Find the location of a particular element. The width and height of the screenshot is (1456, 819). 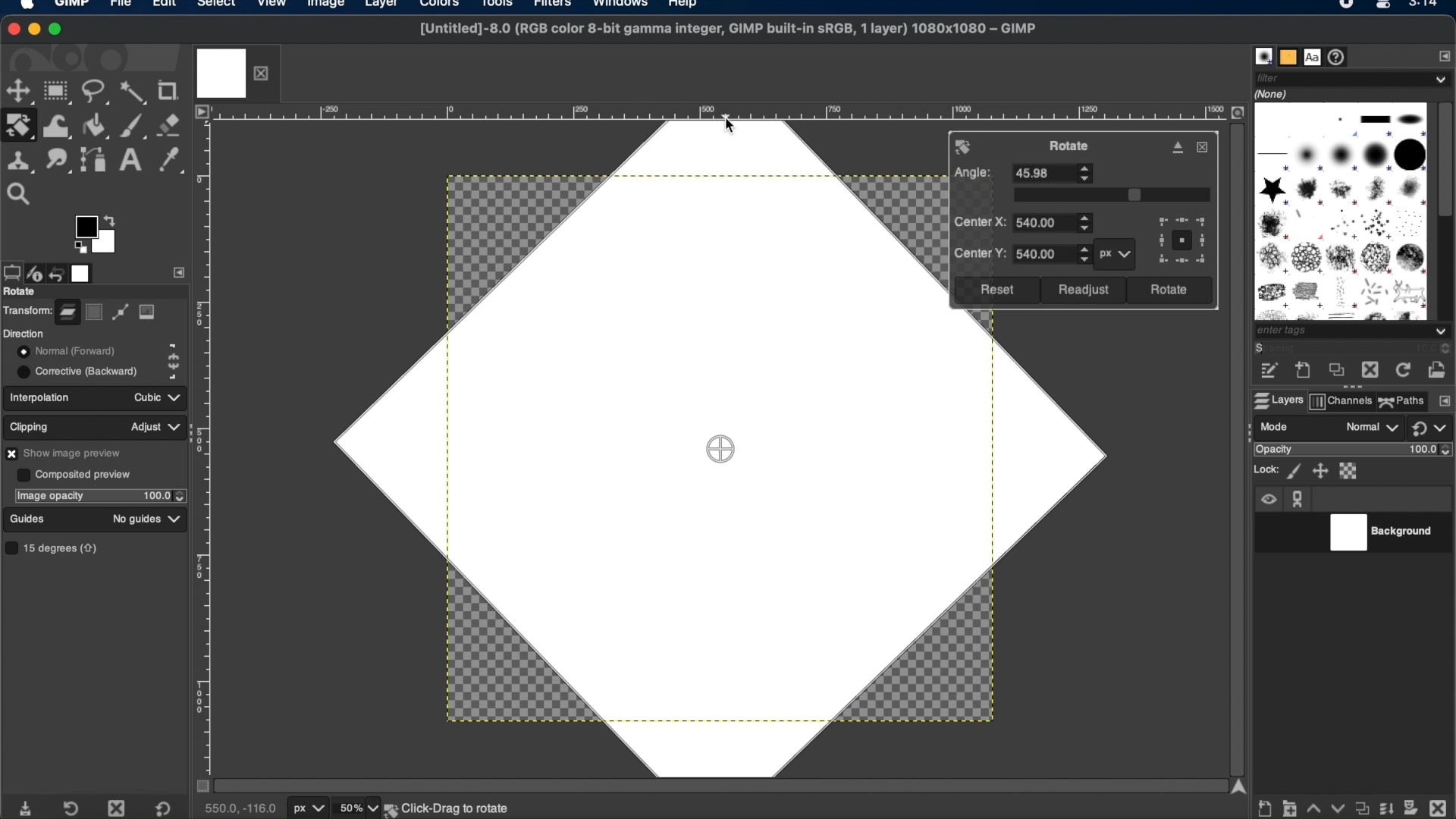

restore tool preset is located at coordinates (74, 807).